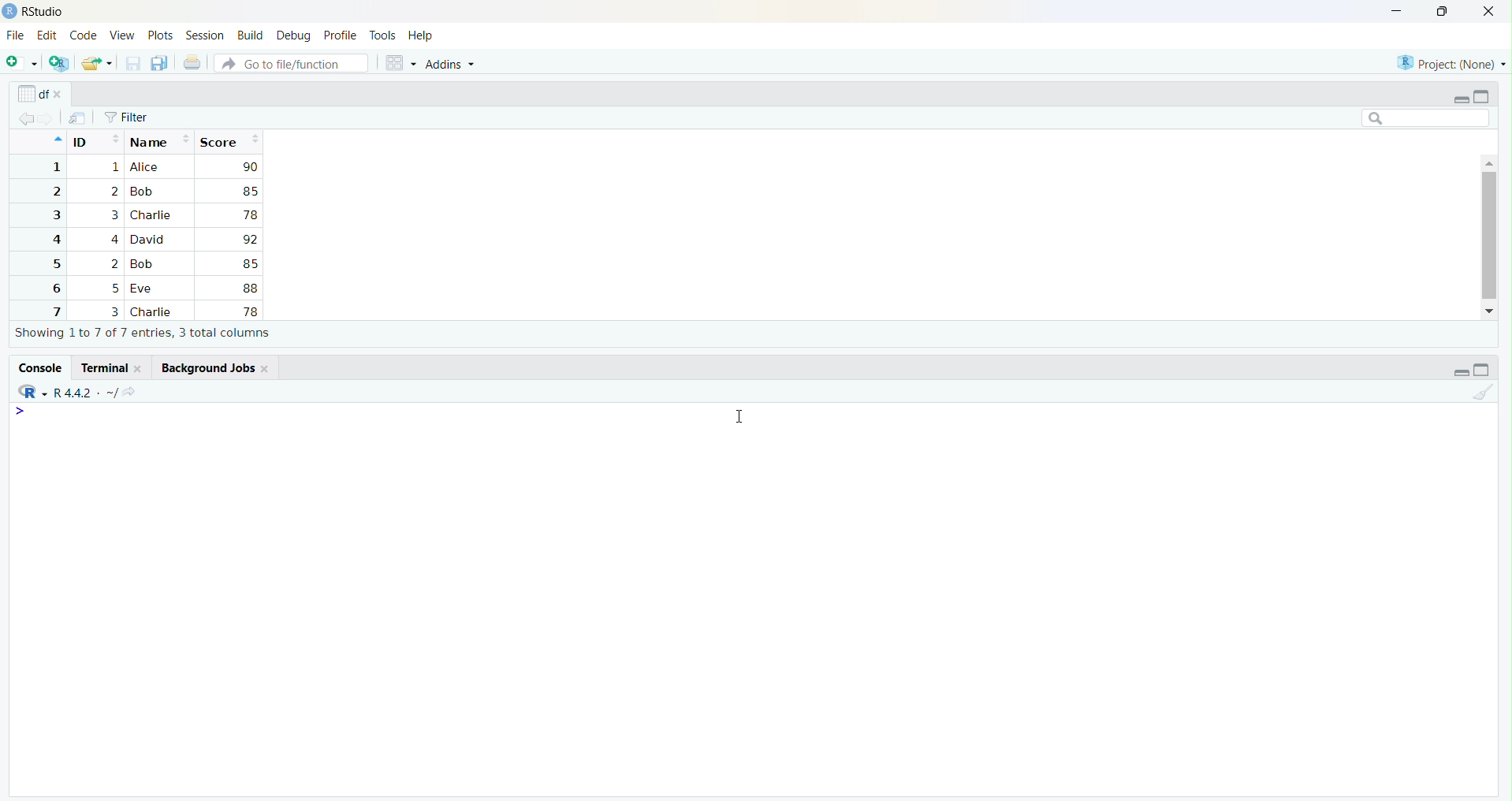  Describe the element at coordinates (341, 36) in the screenshot. I see `Profile` at that location.